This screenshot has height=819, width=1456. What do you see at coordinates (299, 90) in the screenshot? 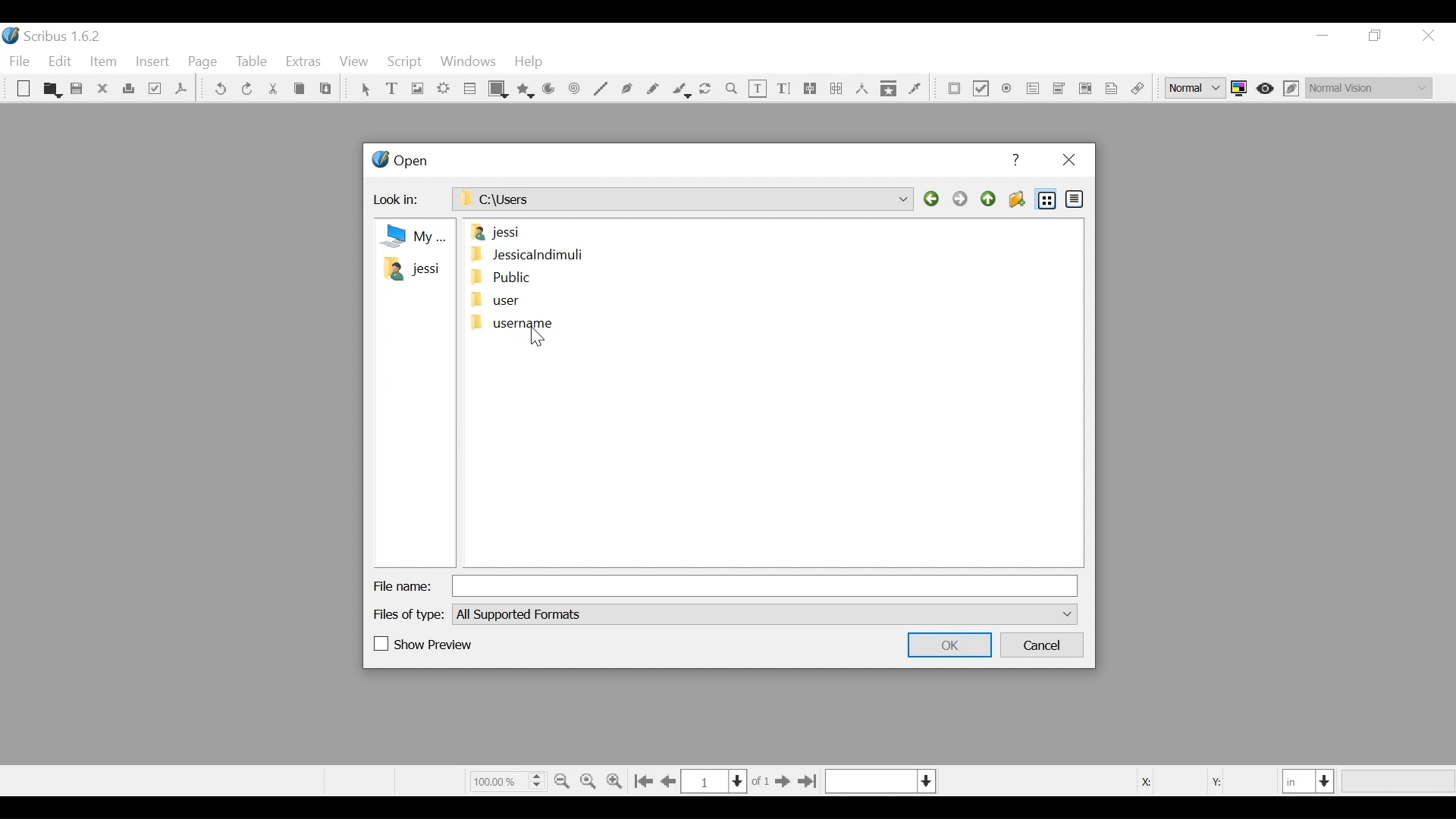
I see `Cop` at bounding box center [299, 90].